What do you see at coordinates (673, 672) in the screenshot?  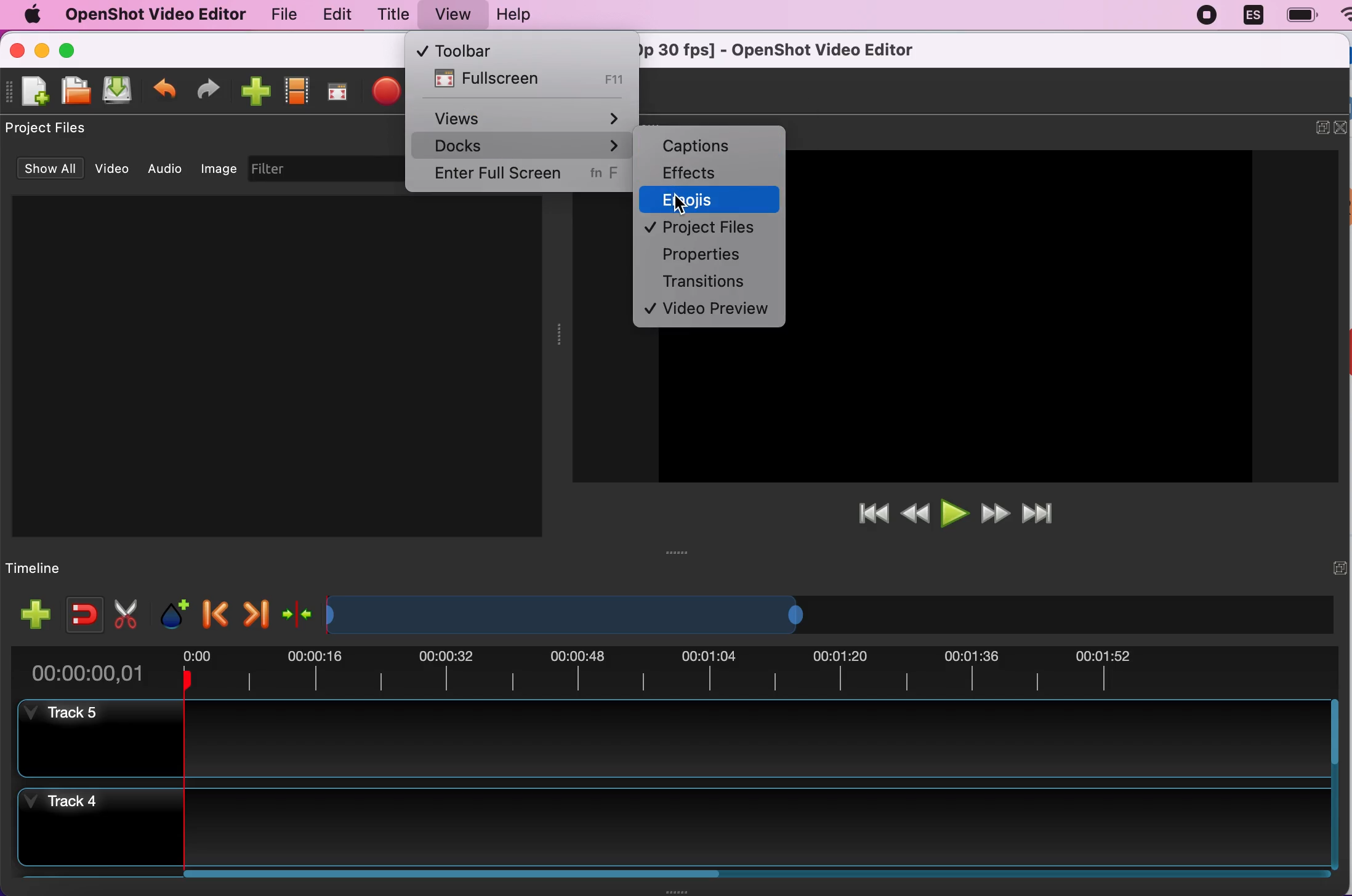 I see `time duration` at bounding box center [673, 672].